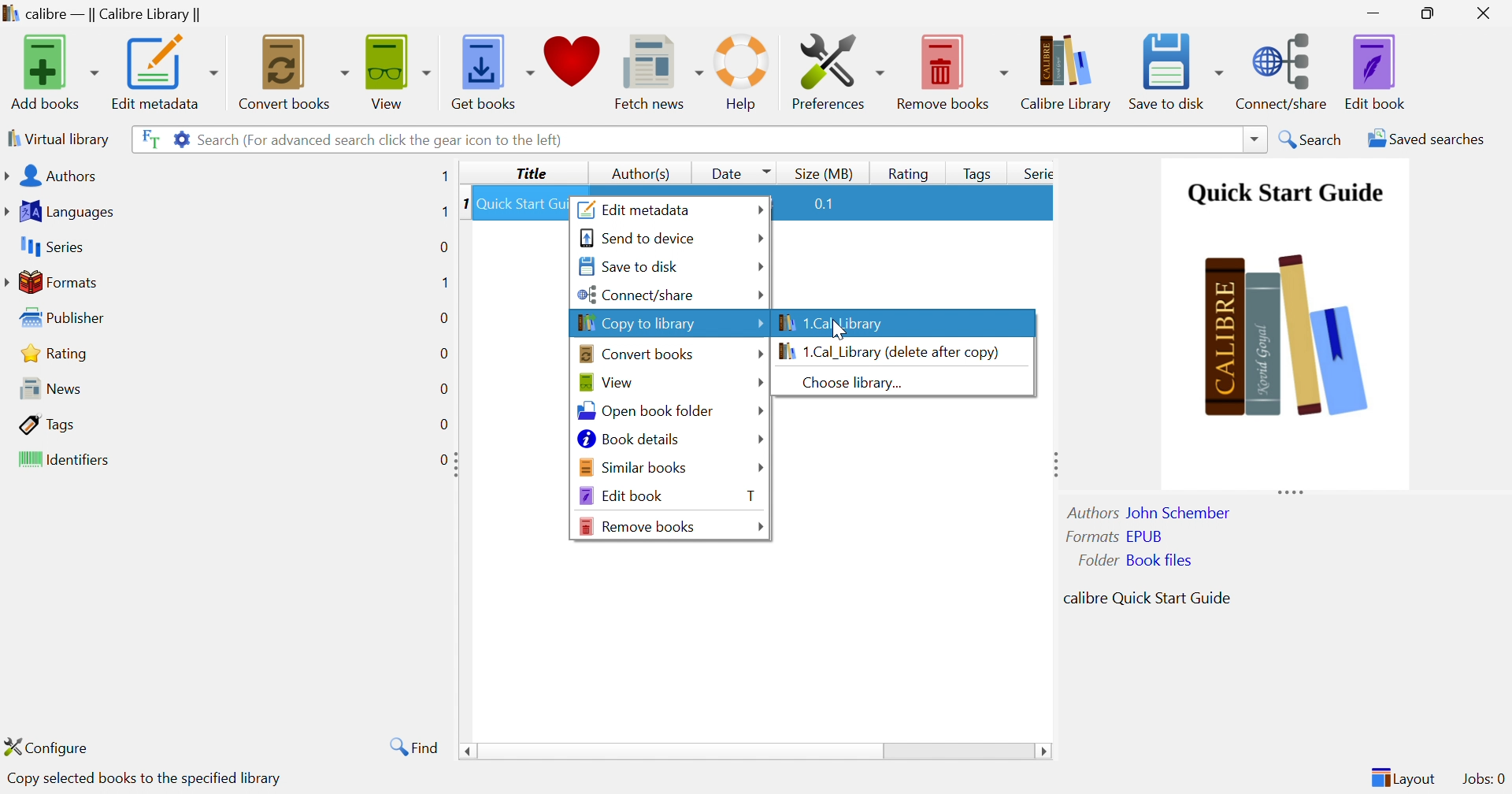  Describe the element at coordinates (637, 293) in the screenshot. I see `Connect/share` at that location.